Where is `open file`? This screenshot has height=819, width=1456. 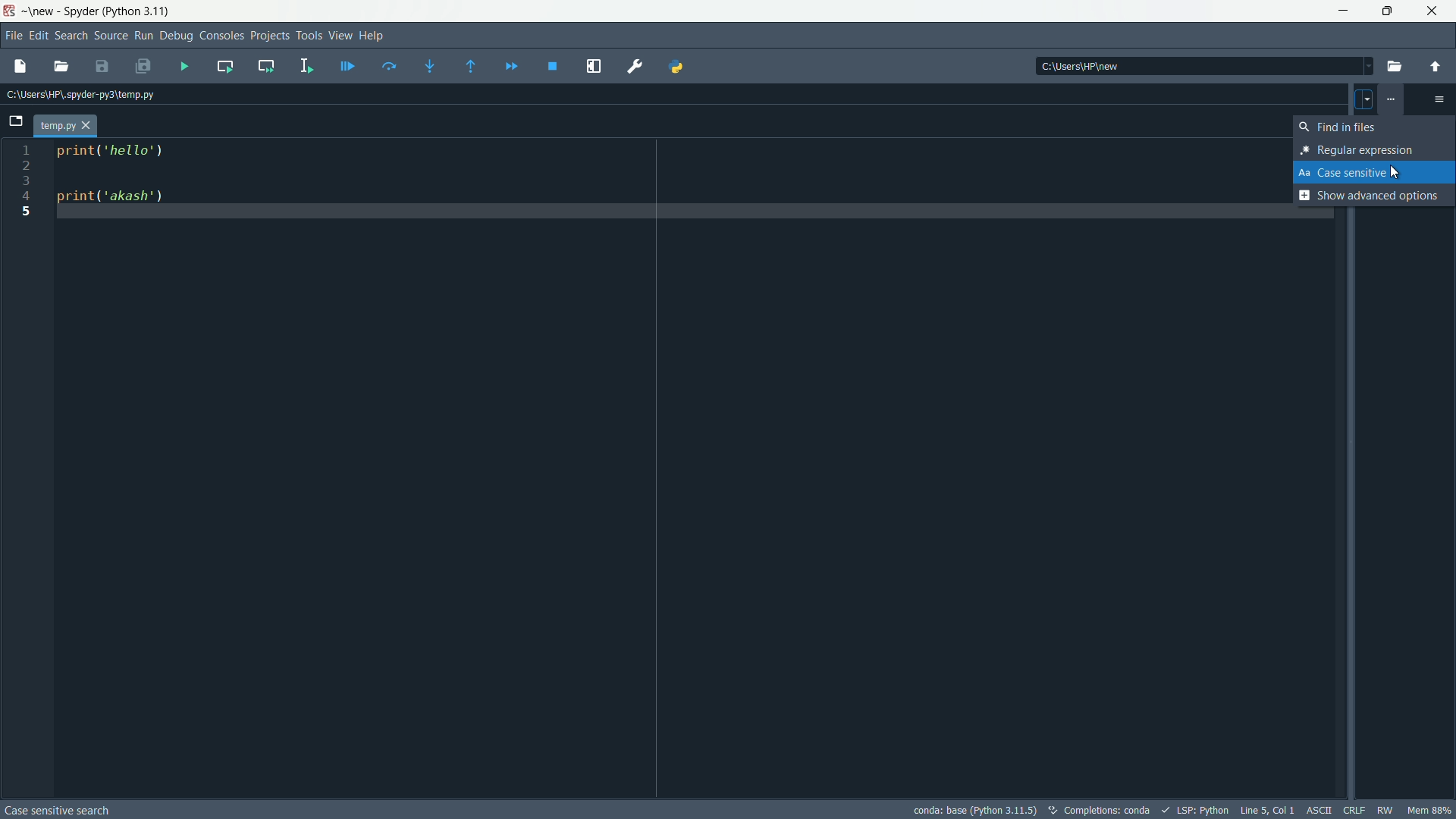 open file is located at coordinates (64, 65).